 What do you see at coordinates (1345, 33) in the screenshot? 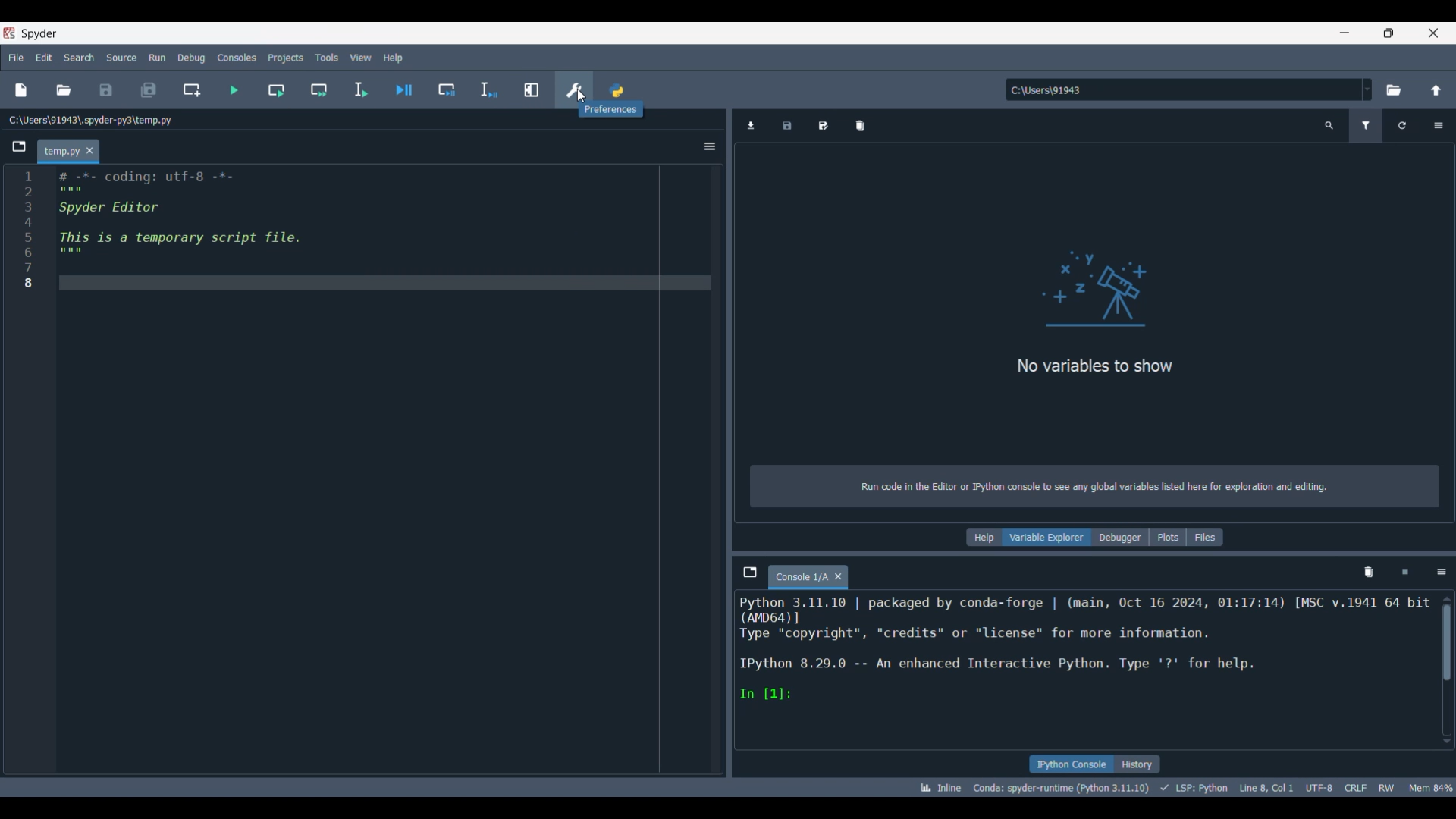
I see `Minimize` at bounding box center [1345, 33].